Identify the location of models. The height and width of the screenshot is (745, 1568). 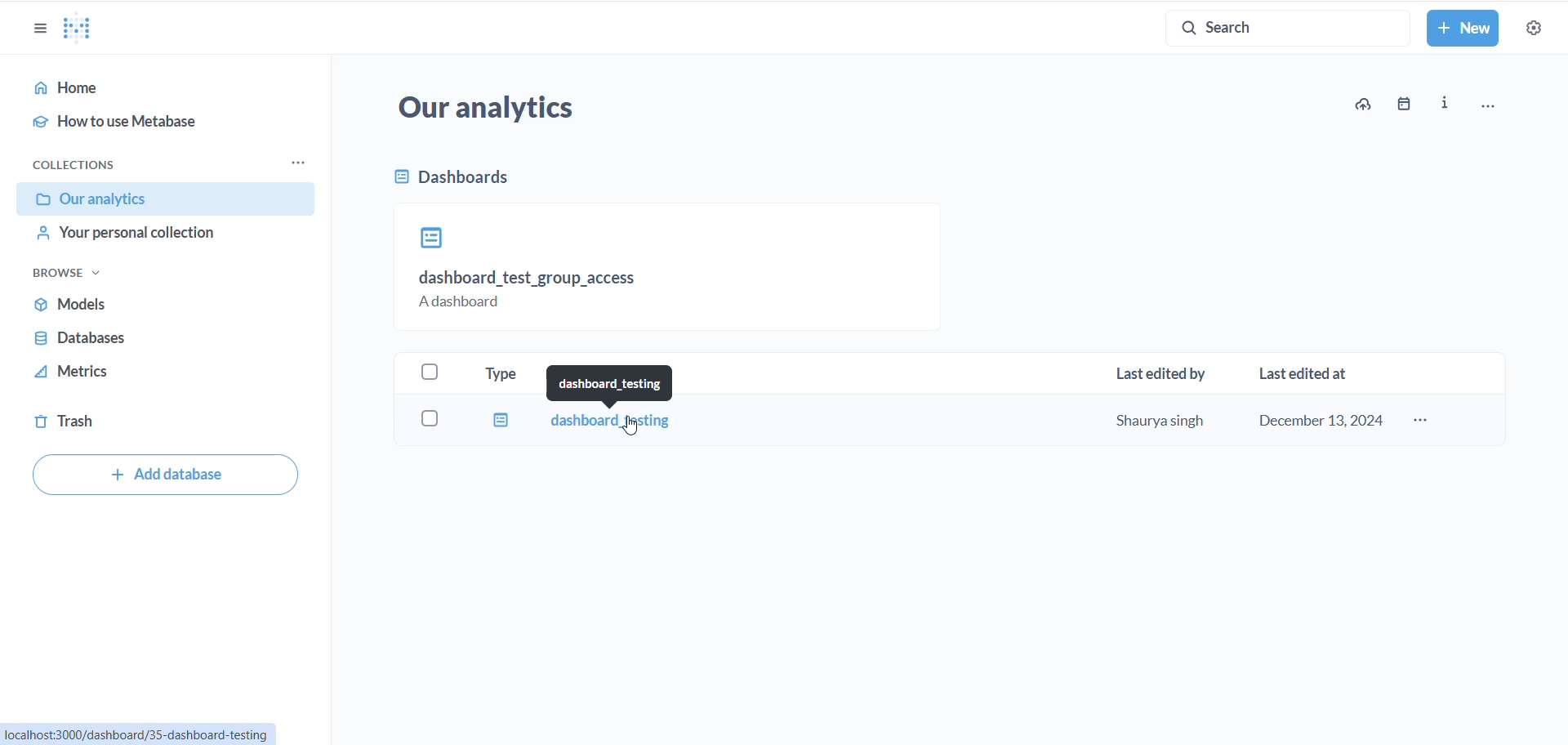
(128, 306).